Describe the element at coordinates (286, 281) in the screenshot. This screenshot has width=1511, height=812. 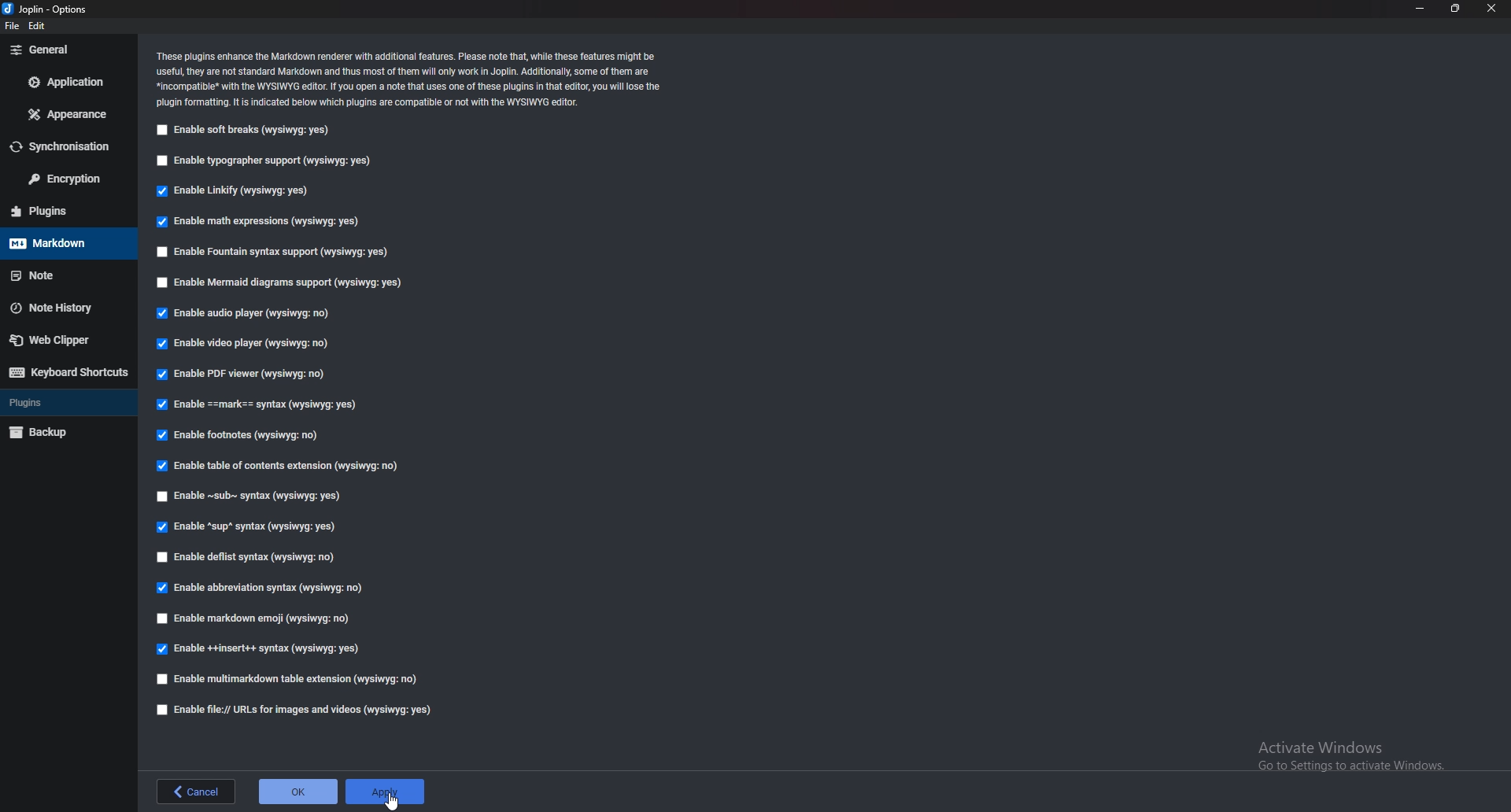
I see `Enable mermaid diagram support` at that location.